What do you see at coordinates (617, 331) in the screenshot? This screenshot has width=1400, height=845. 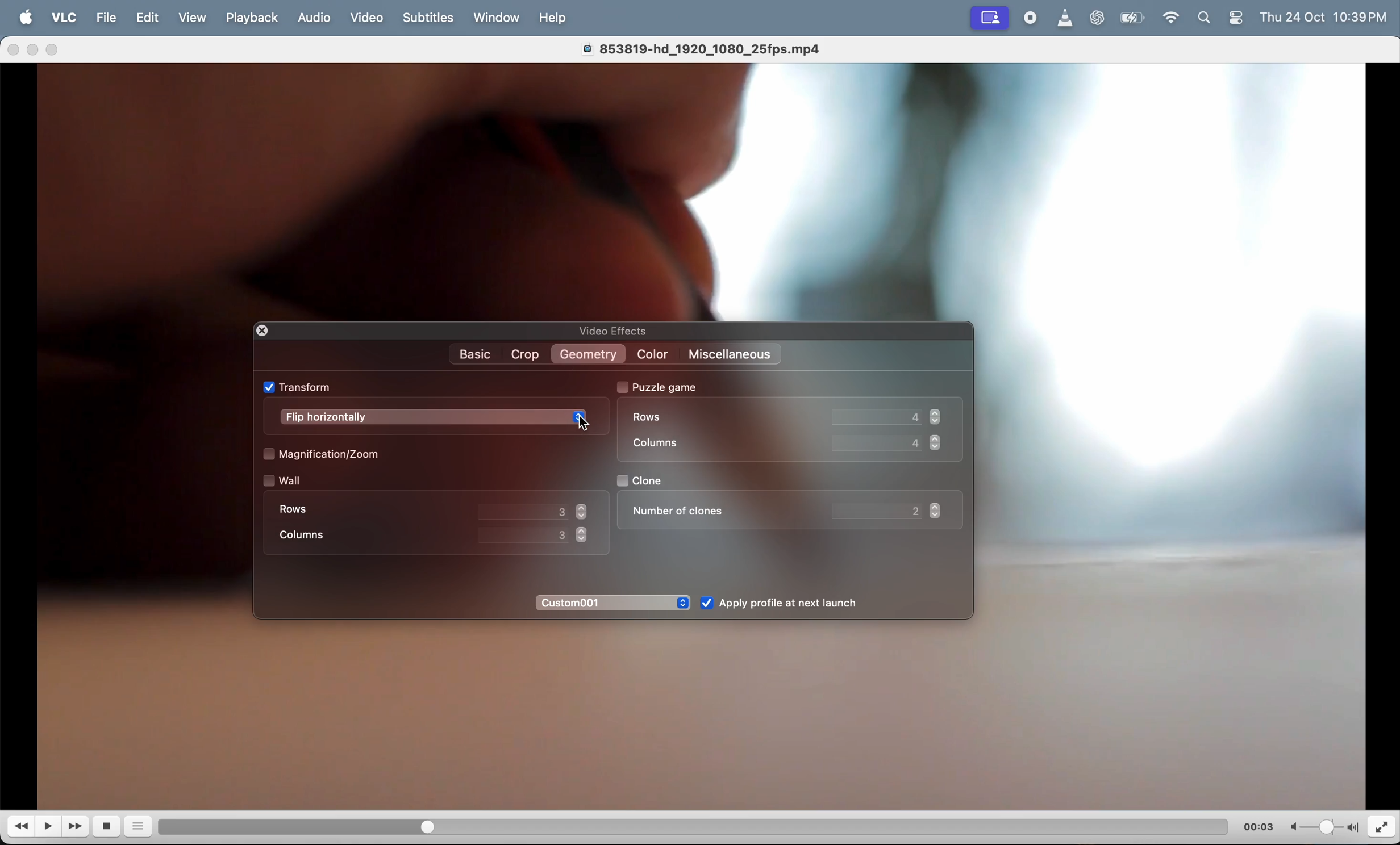 I see `video effects` at bounding box center [617, 331].